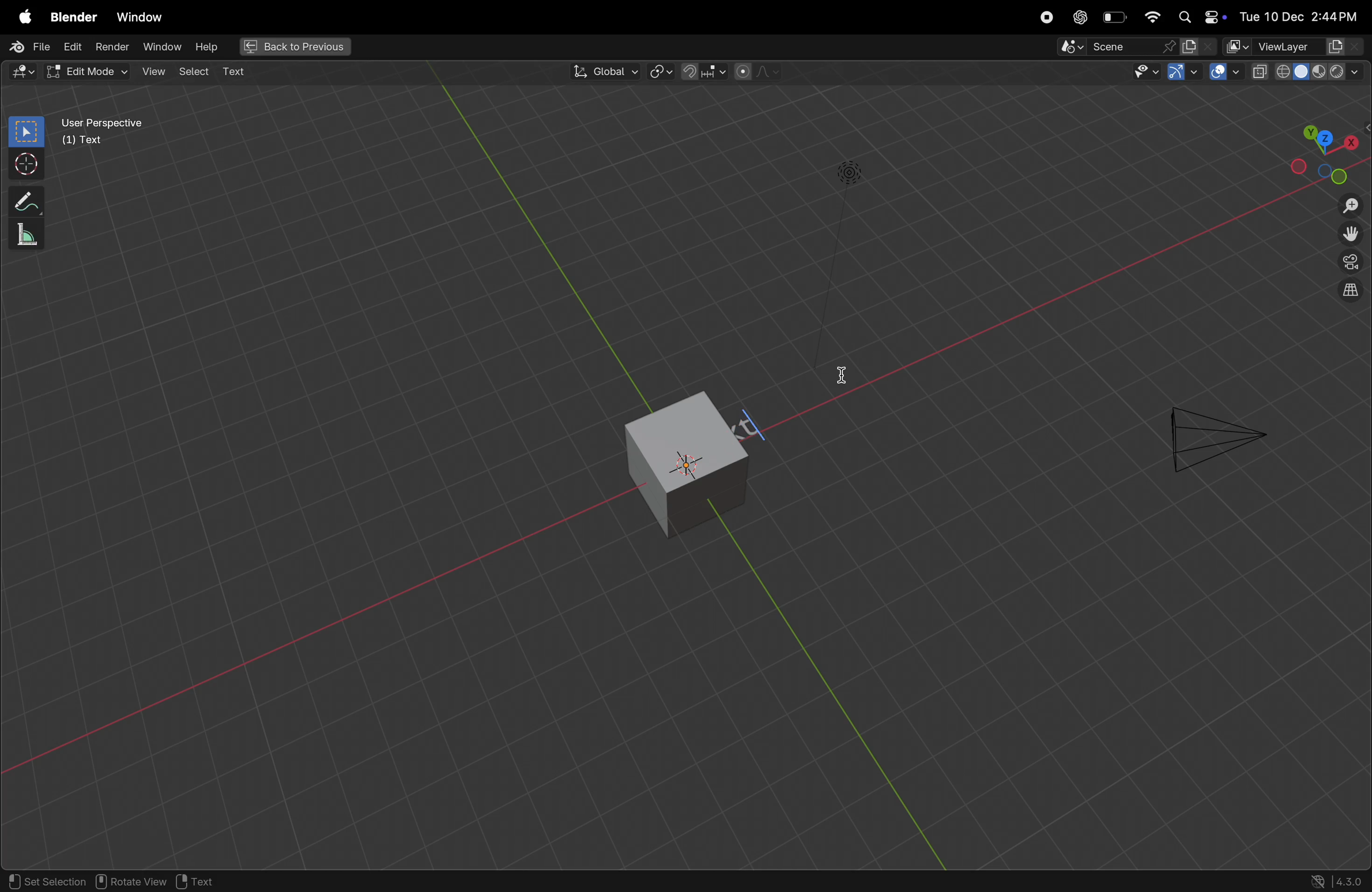  I want to click on edit mode, so click(24, 71).